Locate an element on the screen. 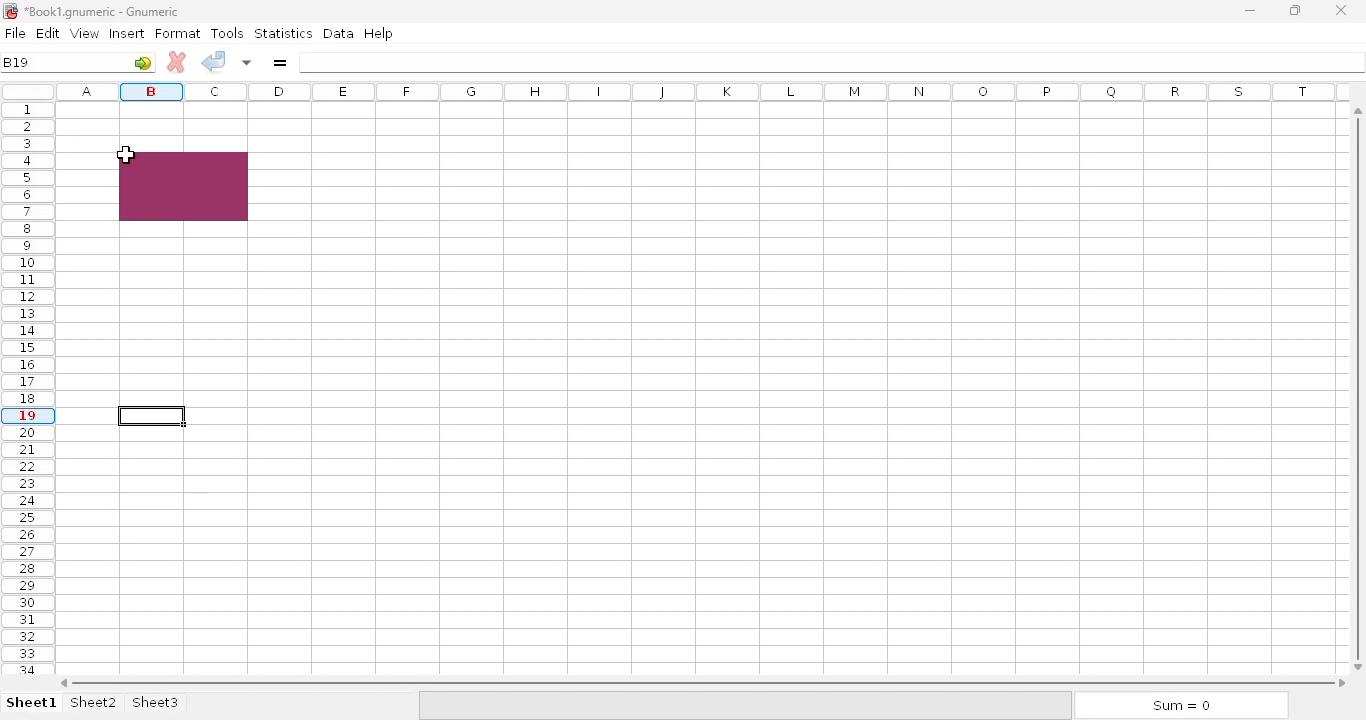 The height and width of the screenshot is (720, 1366). maximize is located at coordinates (1293, 10).